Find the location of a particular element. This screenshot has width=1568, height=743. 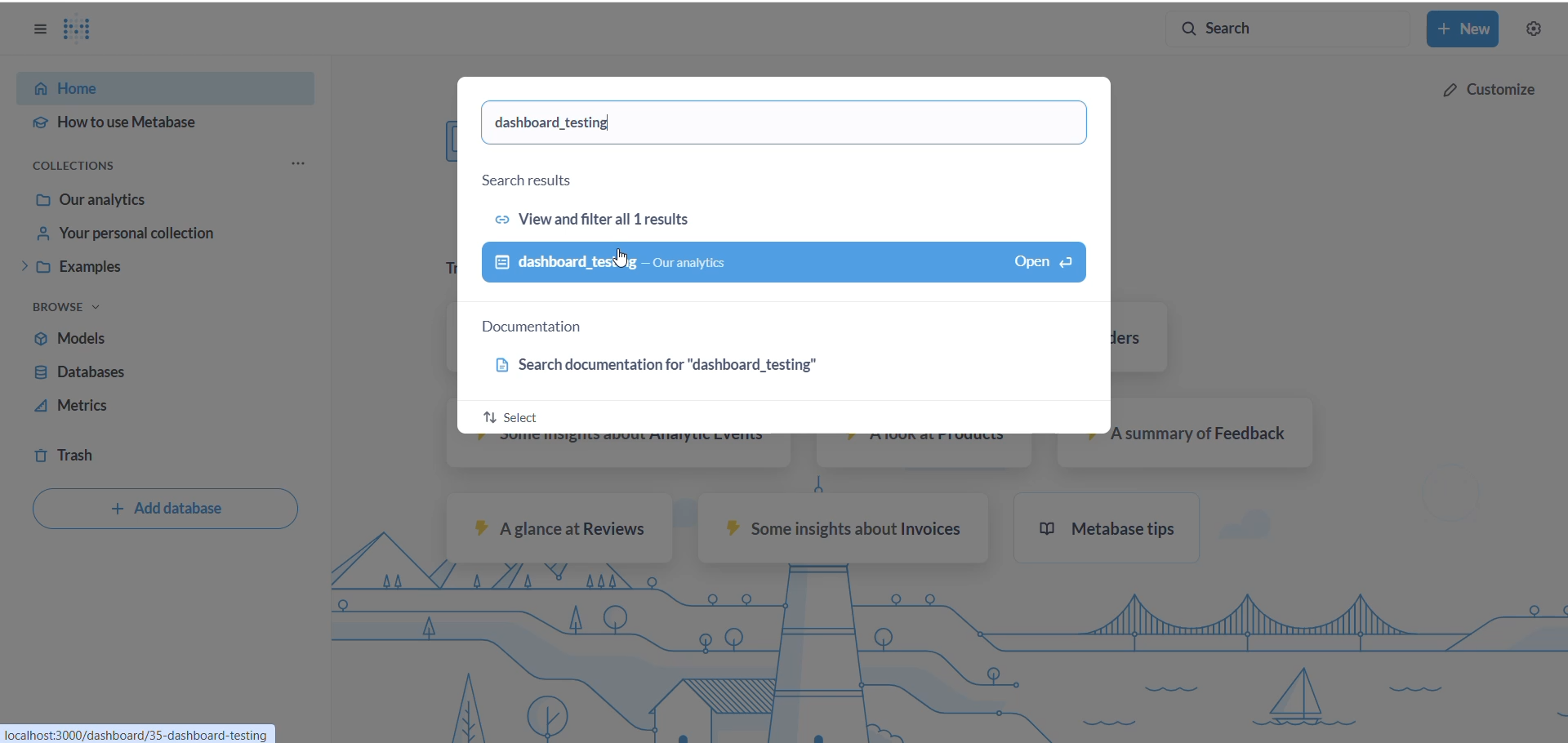

databases is located at coordinates (138, 371).